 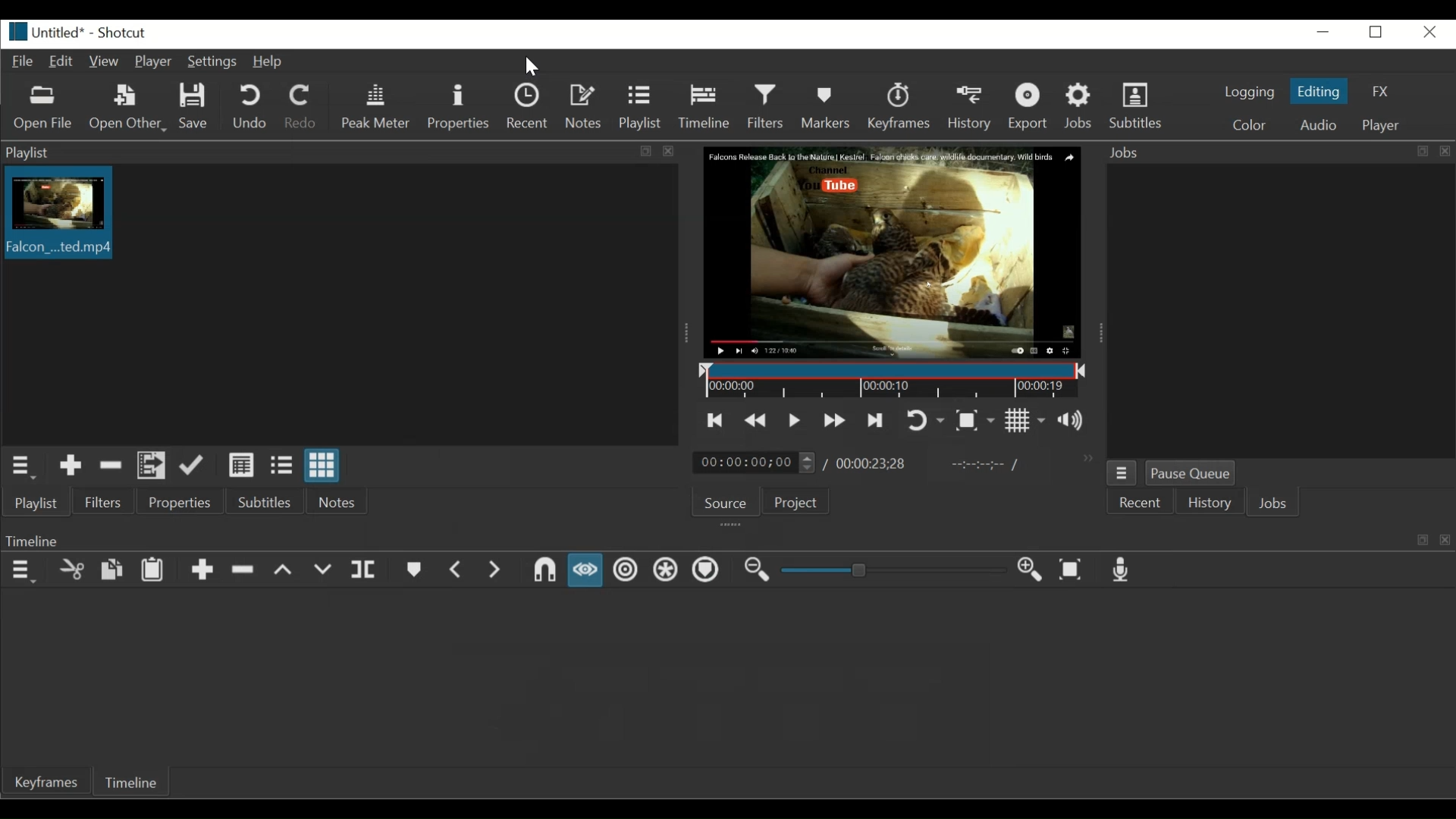 I want to click on Settings, so click(x=213, y=62).